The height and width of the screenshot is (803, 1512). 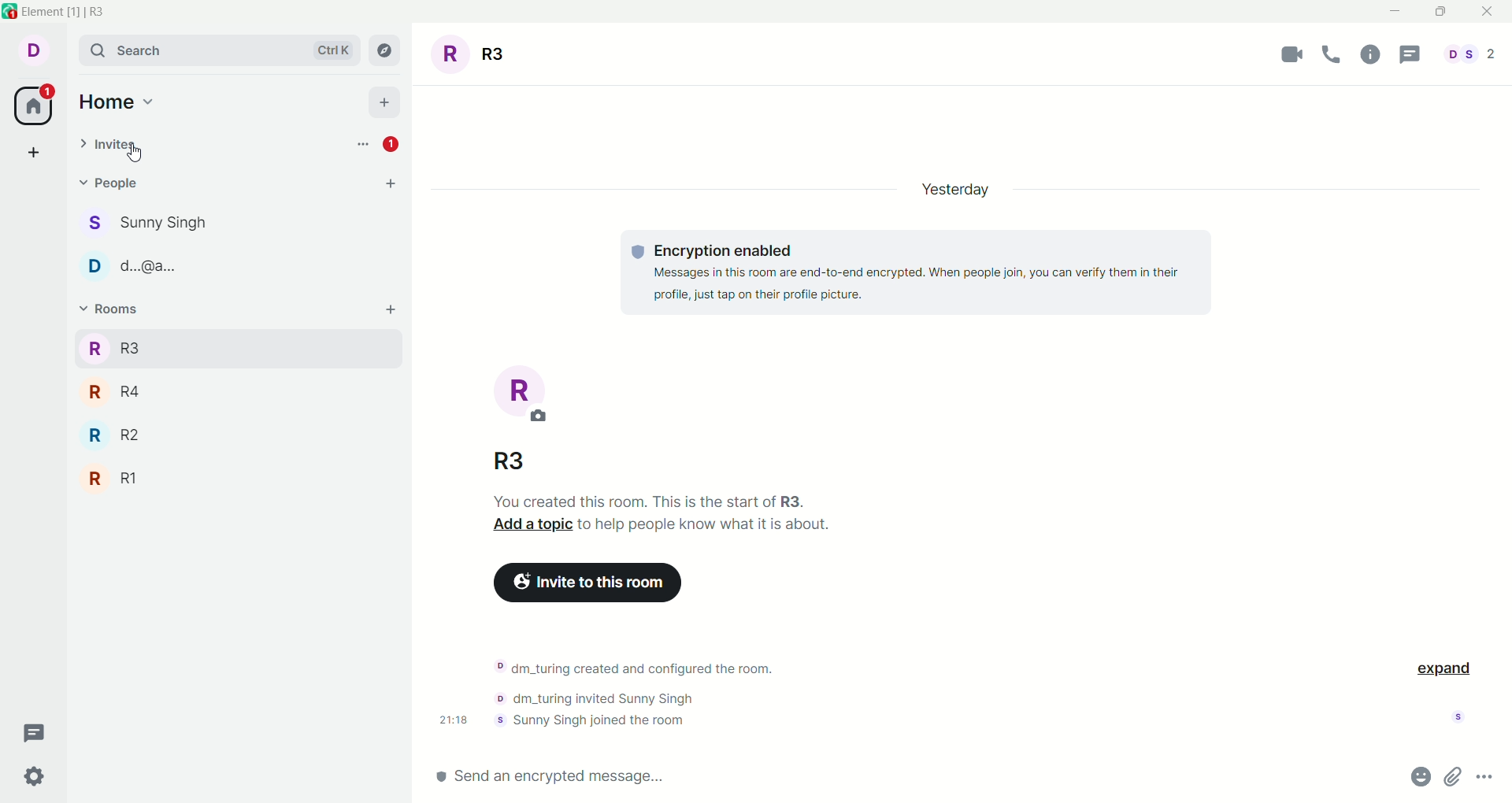 I want to click on all rooms, so click(x=35, y=106).